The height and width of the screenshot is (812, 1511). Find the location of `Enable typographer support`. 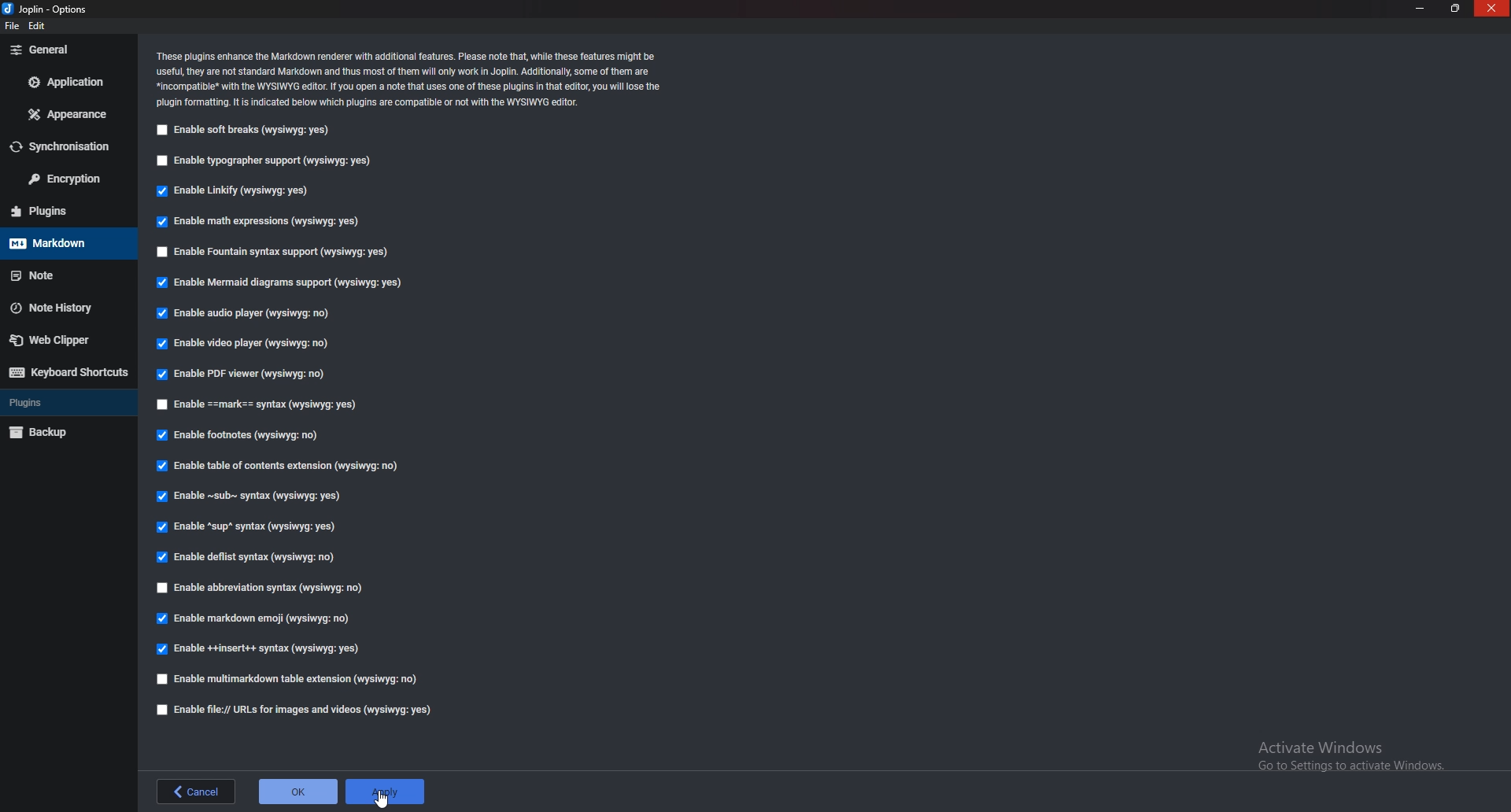

Enable typographer support is located at coordinates (275, 161).